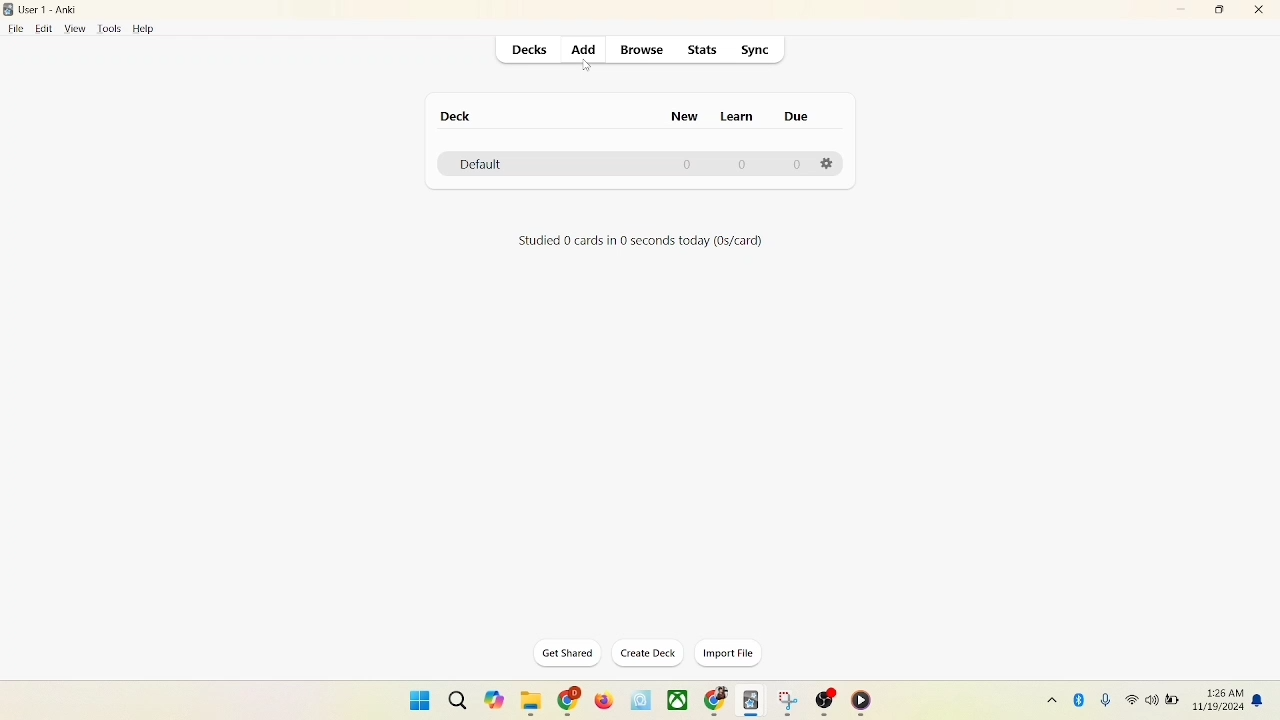 The image size is (1280, 720). What do you see at coordinates (1048, 699) in the screenshot?
I see `show hidden icon` at bounding box center [1048, 699].